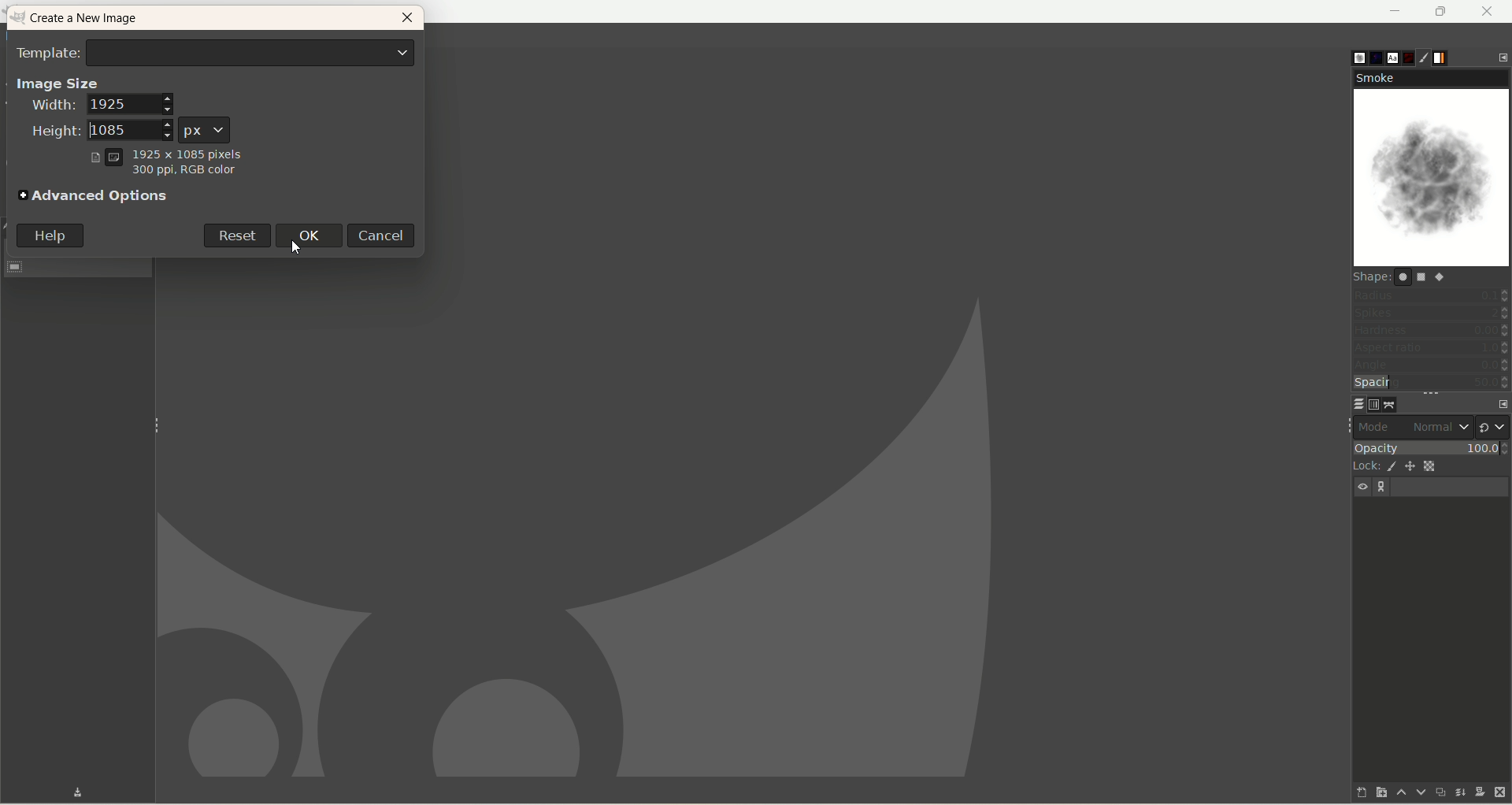  Describe the element at coordinates (1431, 315) in the screenshot. I see `spikes` at that location.